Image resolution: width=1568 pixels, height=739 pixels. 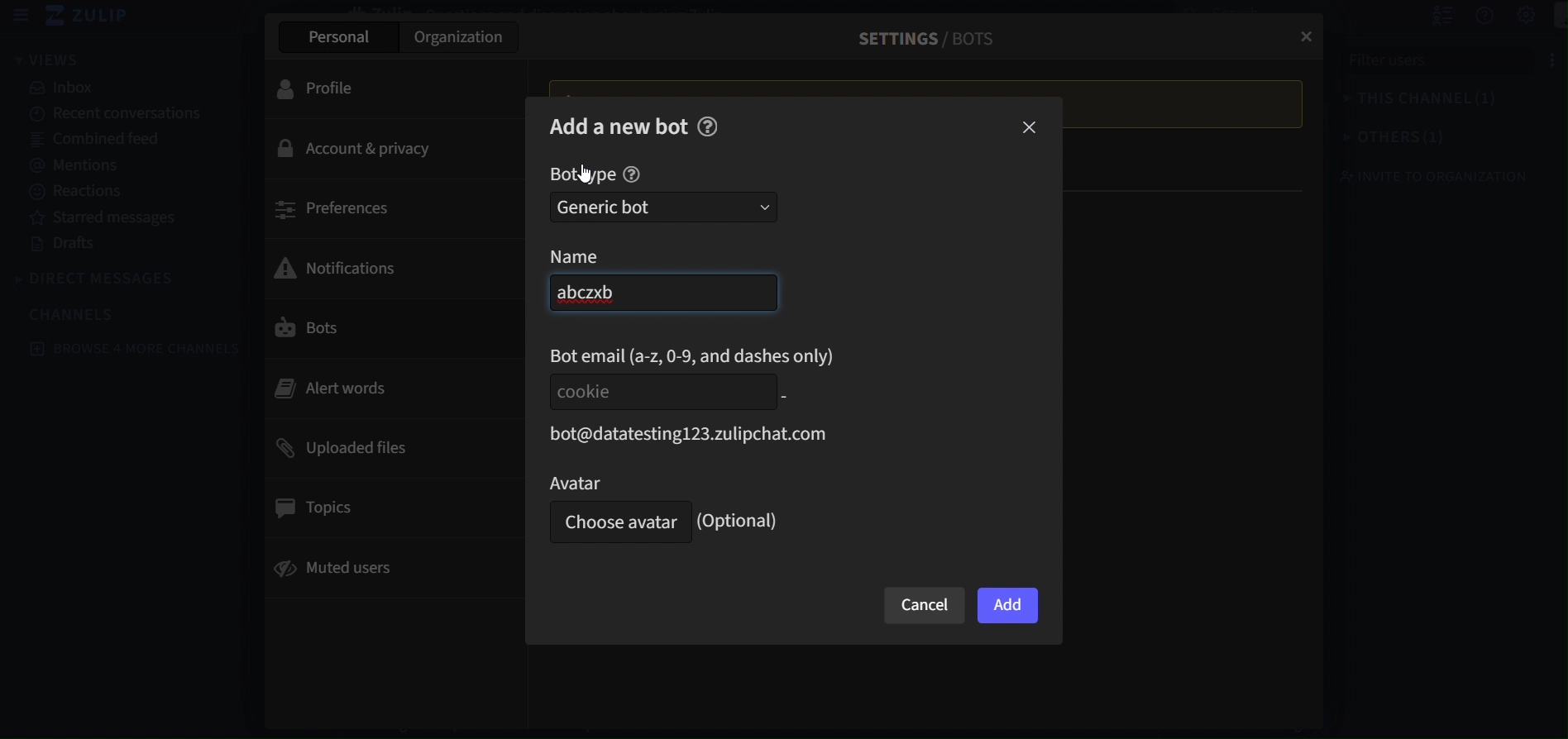 What do you see at coordinates (389, 207) in the screenshot?
I see `preferences` at bounding box center [389, 207].